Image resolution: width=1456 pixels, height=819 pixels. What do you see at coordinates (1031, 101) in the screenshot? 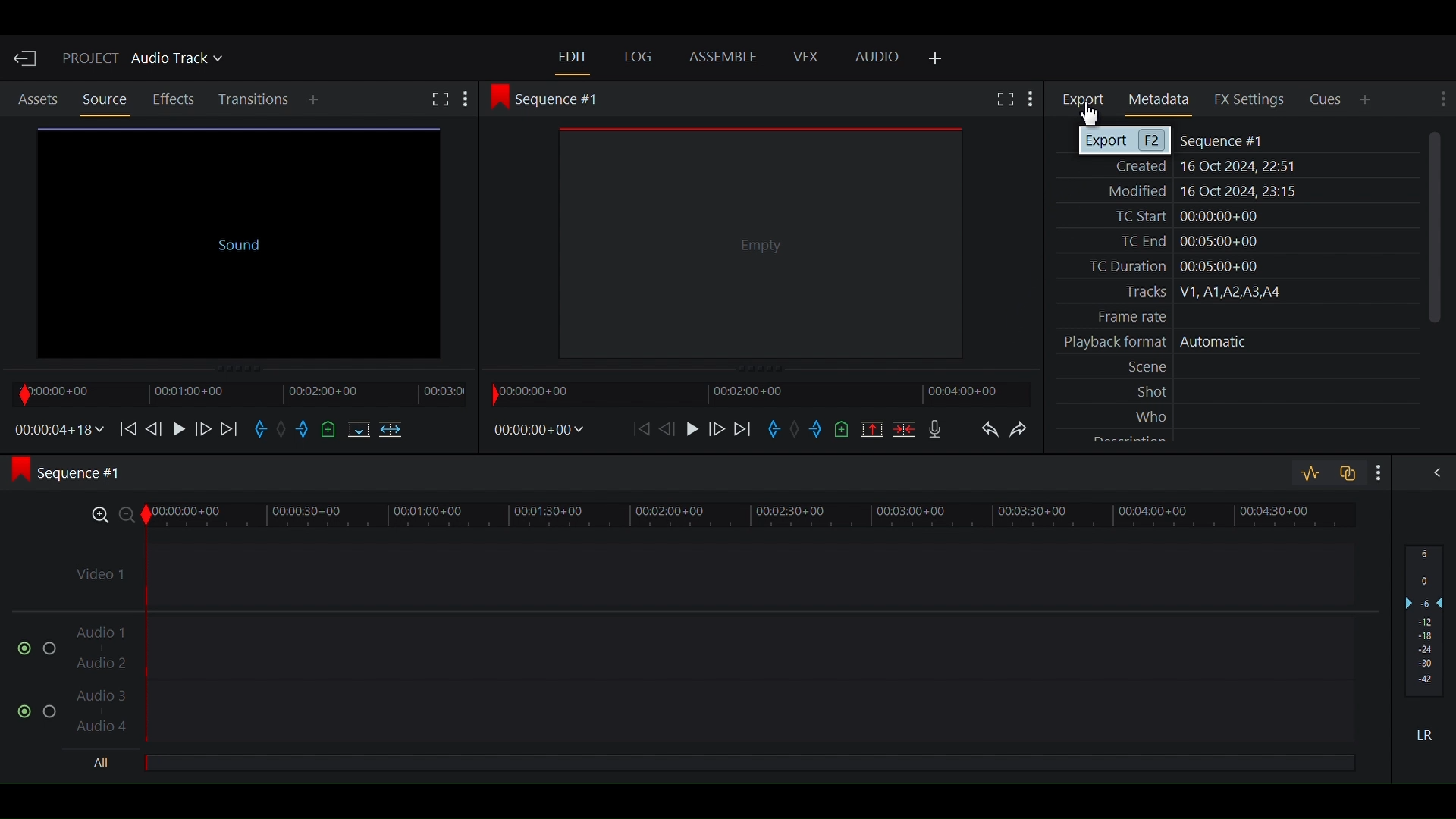
I see `Show Settings menu` at bounding box center [1031, 101].